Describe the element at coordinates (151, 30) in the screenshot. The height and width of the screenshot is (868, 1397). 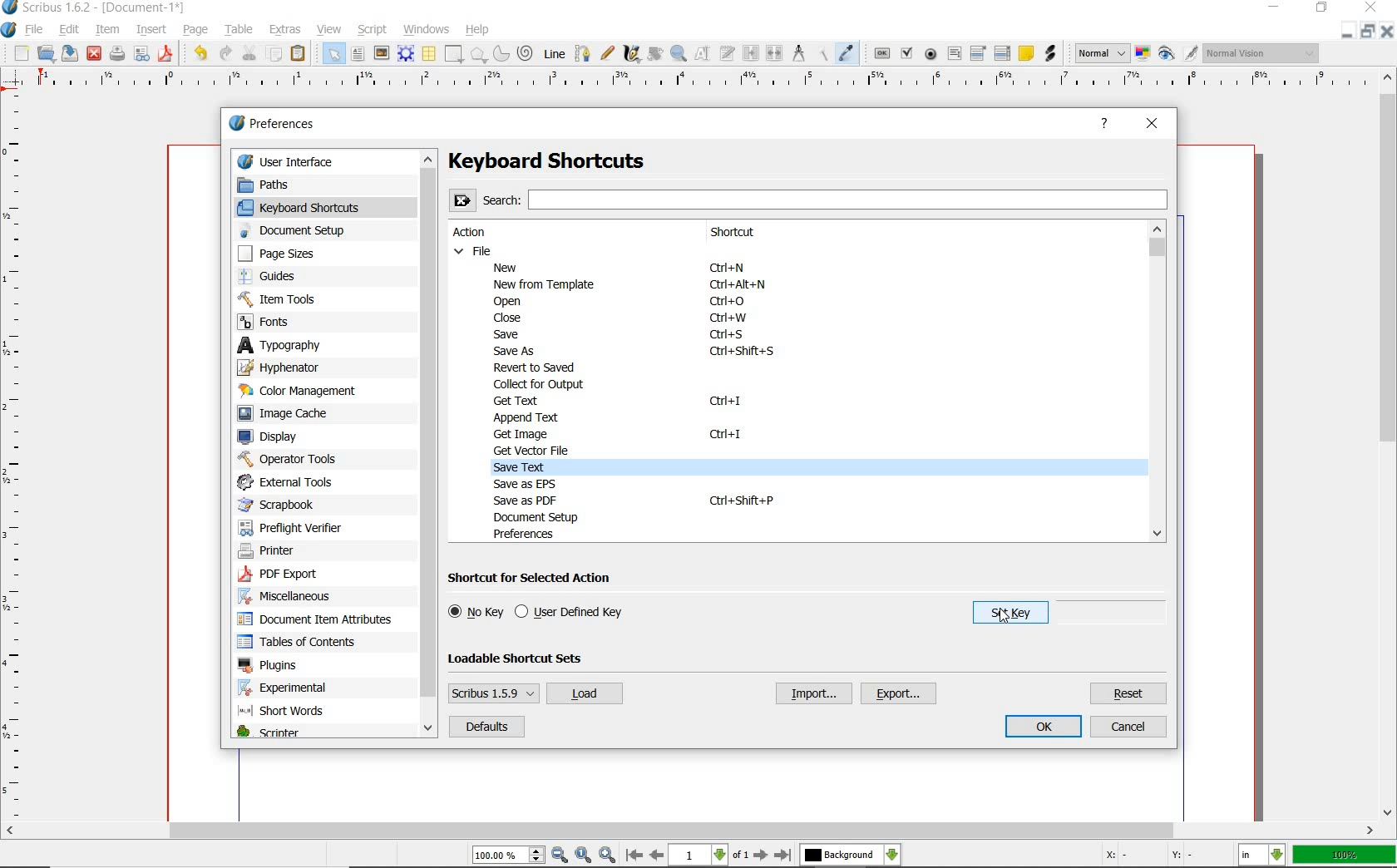
I see `insert` at that location.